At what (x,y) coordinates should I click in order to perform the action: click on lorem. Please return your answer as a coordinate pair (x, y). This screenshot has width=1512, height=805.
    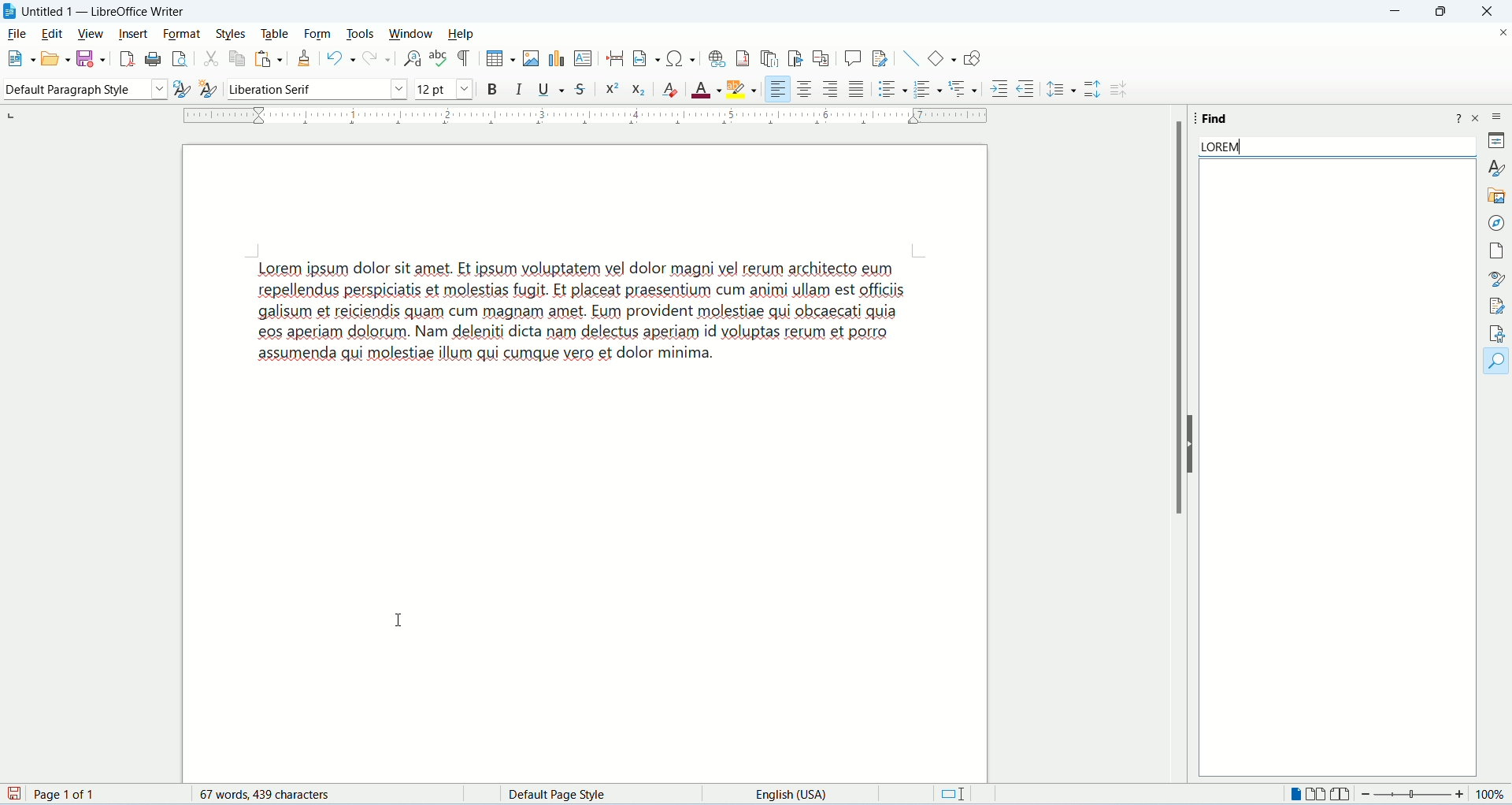
    Looking at the image, I should click on (1336, 148).